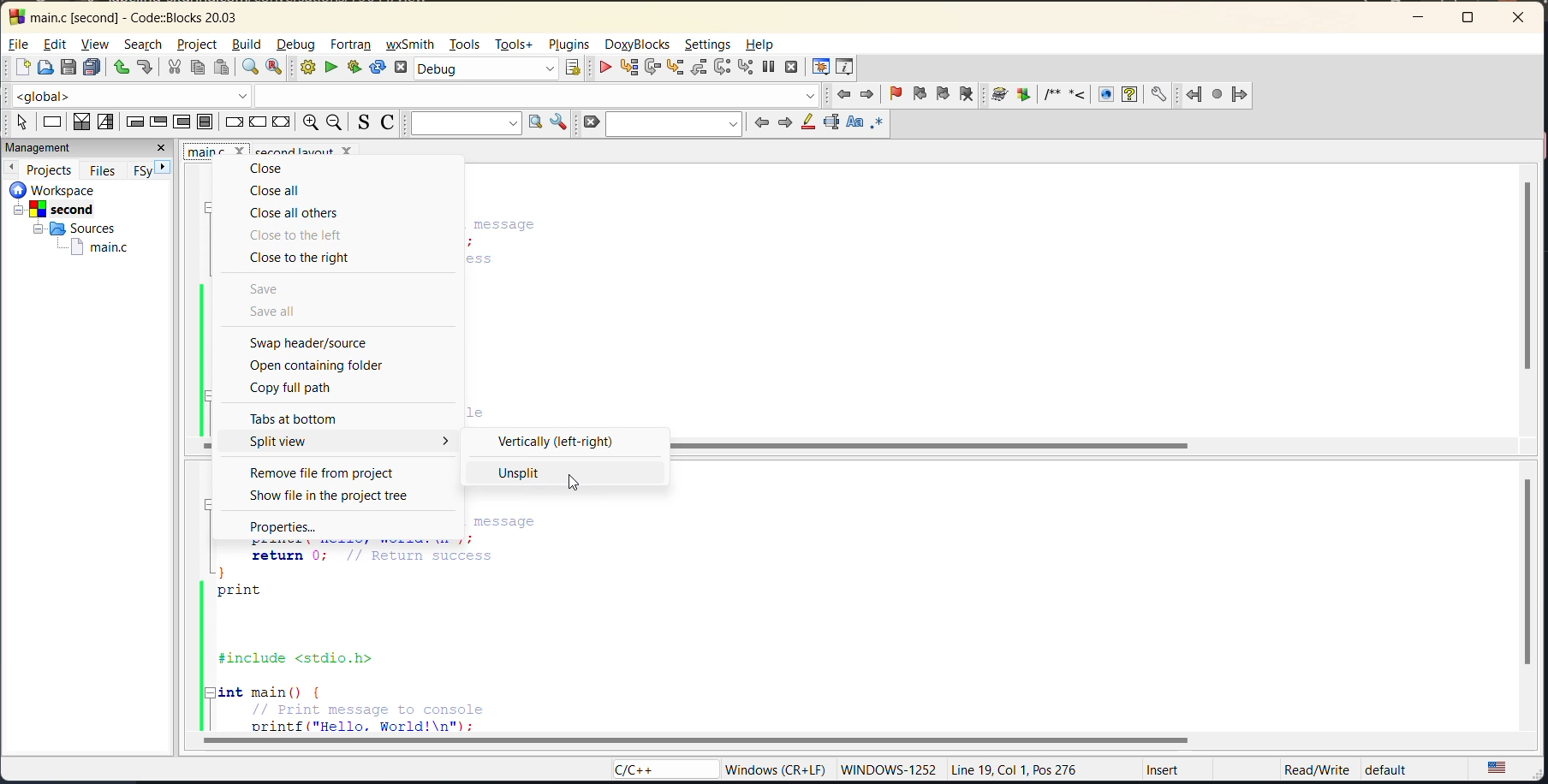 Image resolution: width=1548 pixels, height=784 pixels. Describe the element at coordinates (1318, 769) in the screenshot. I see `‘Read/Write` at that location.